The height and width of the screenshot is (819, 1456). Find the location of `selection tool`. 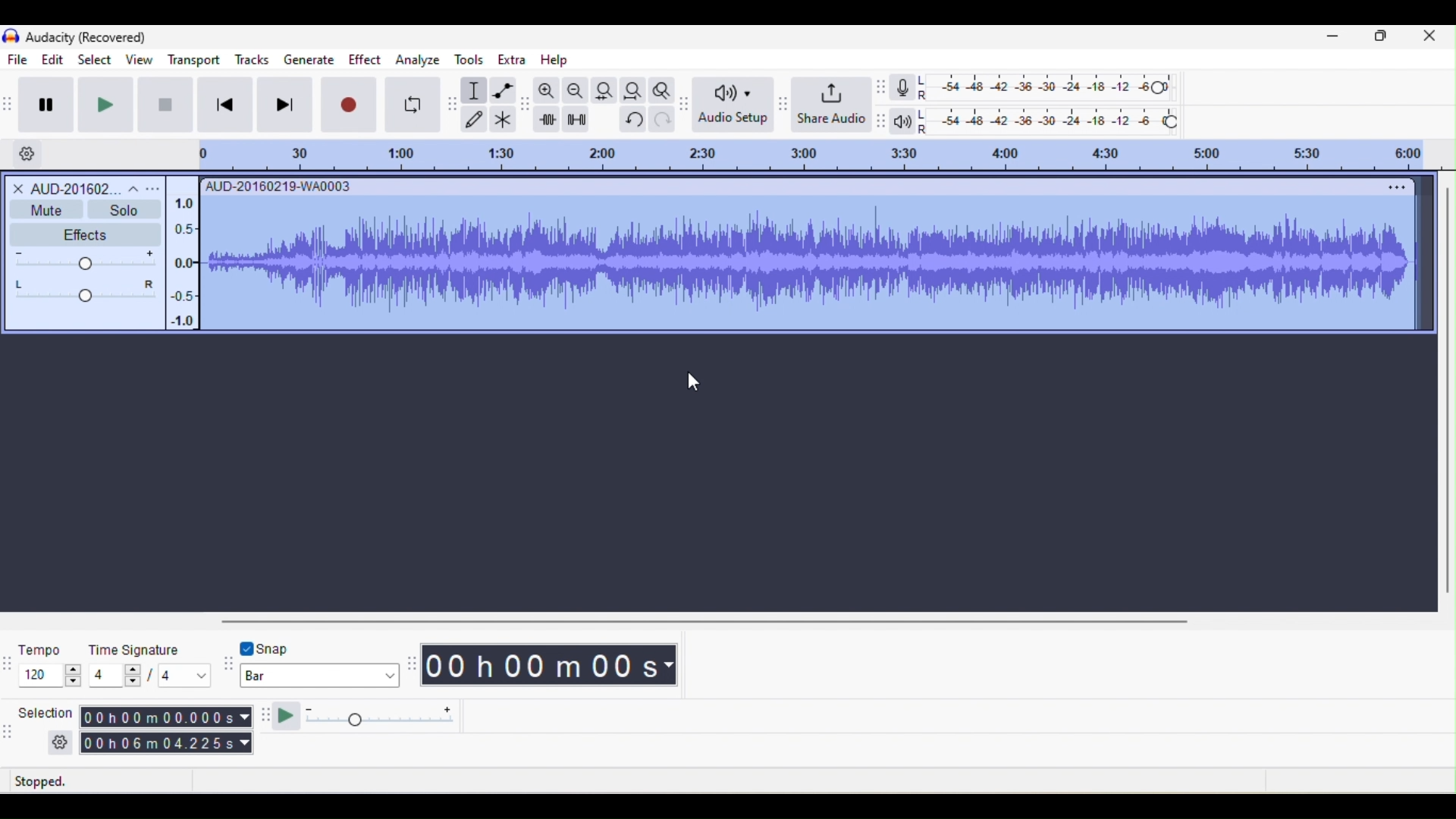

selection tool is located at coordinates (475, 91).